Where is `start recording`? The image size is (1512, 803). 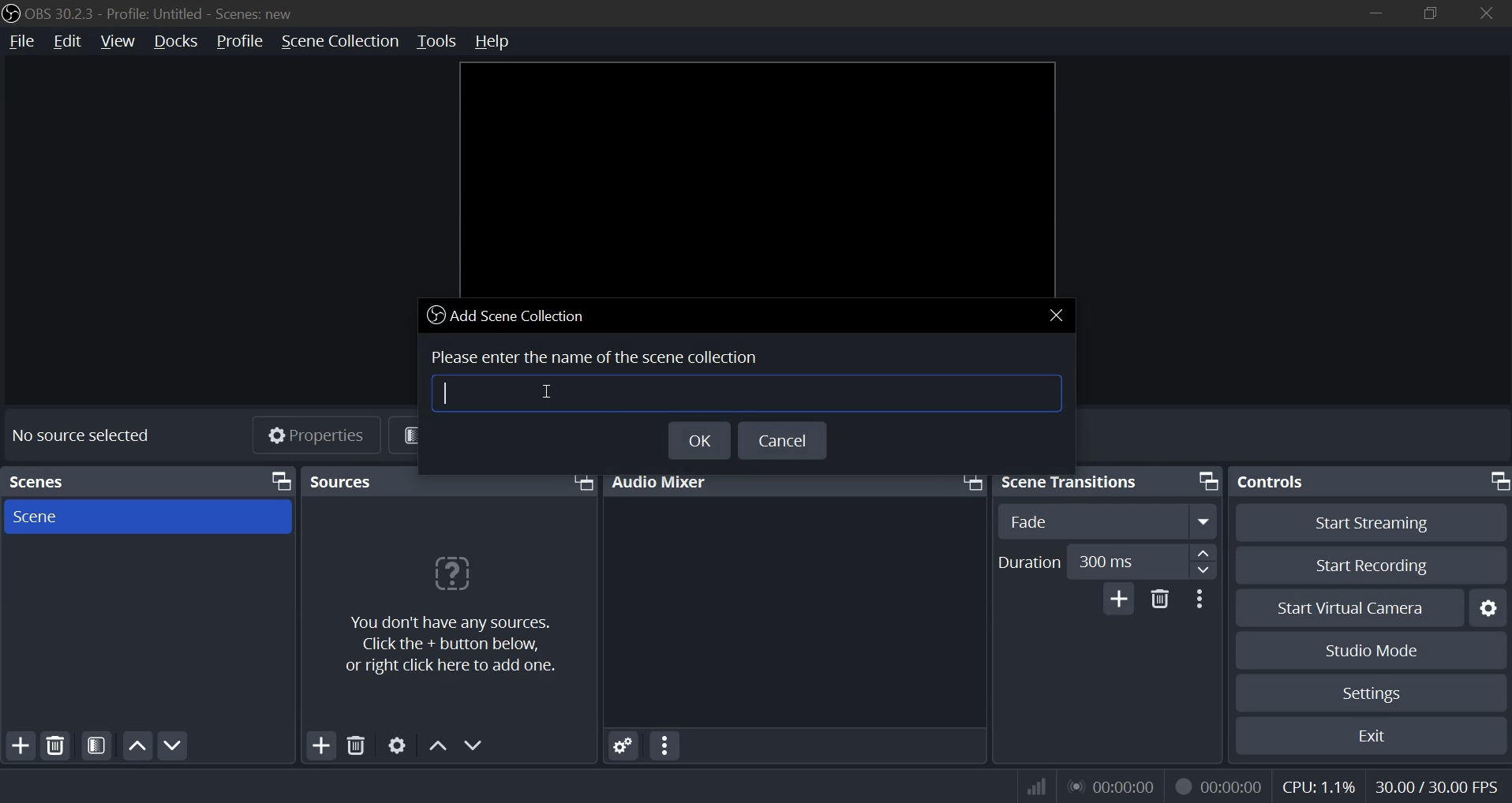
start recording is located at coordinates (1373, 565).